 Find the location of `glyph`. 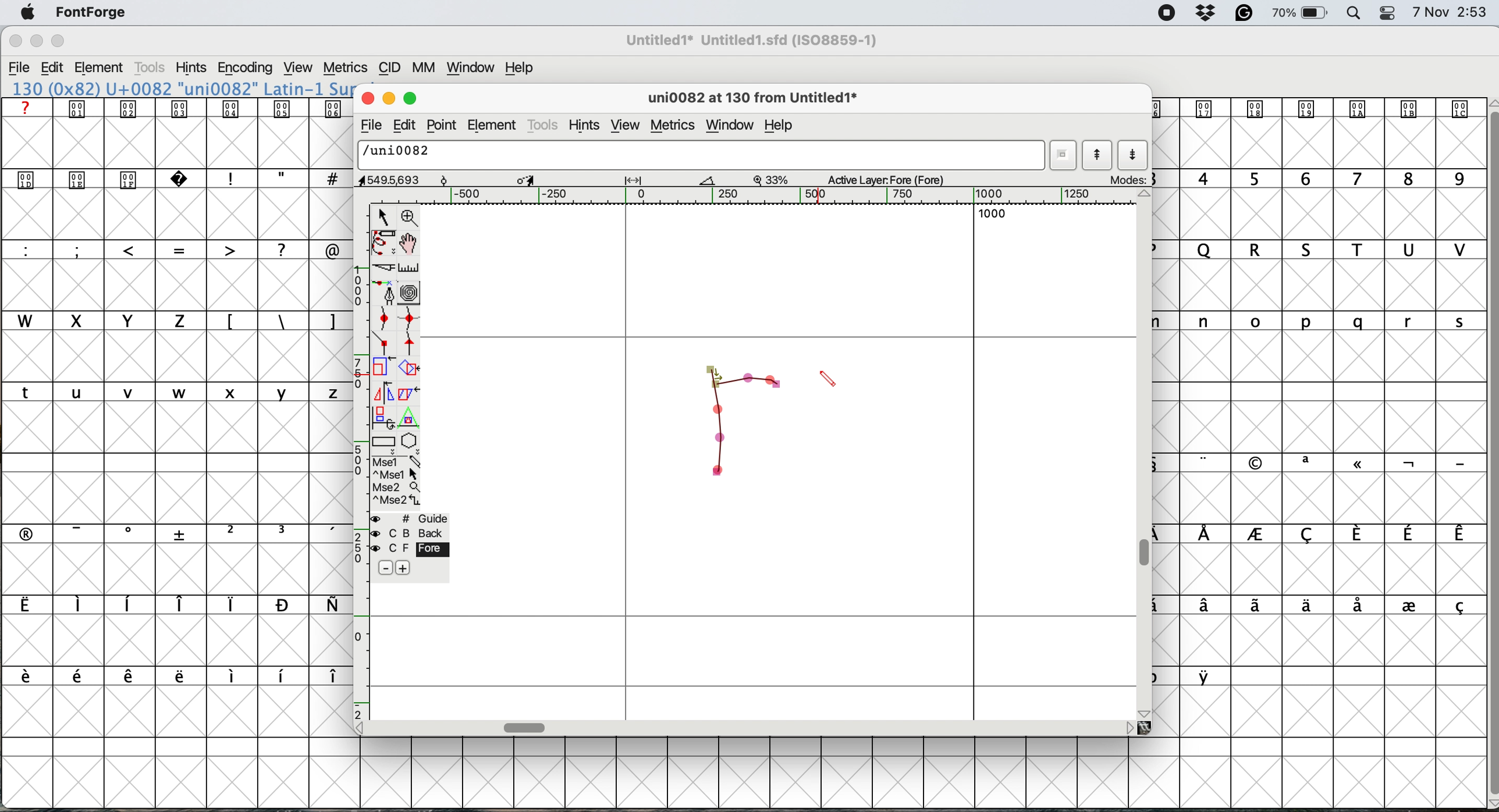

glyph is located at coordinates (702, 156).